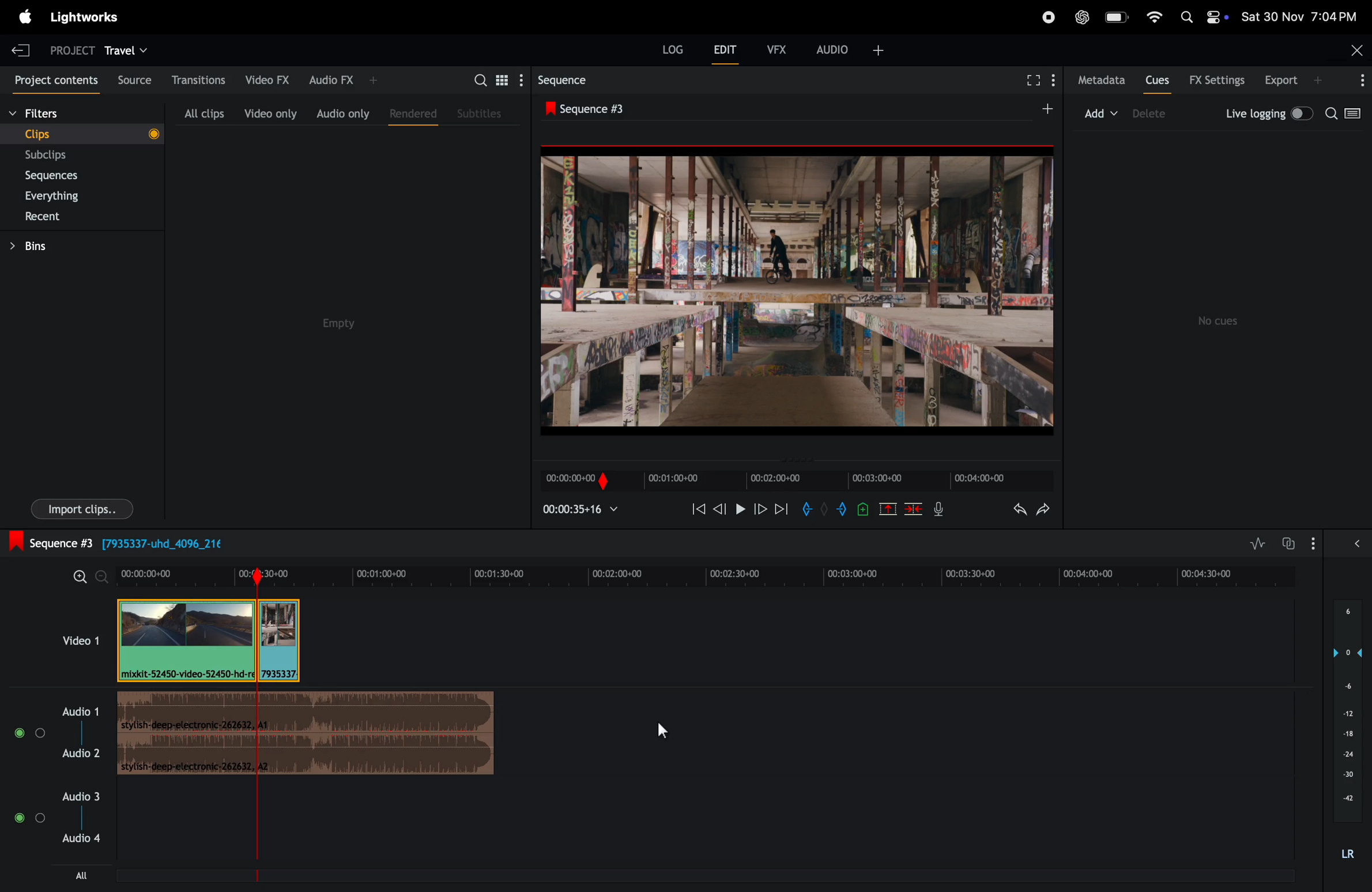  What do you see at coordinates (85, 20) in the screenshot?
I see `light works` at bounding box center [85, 20].